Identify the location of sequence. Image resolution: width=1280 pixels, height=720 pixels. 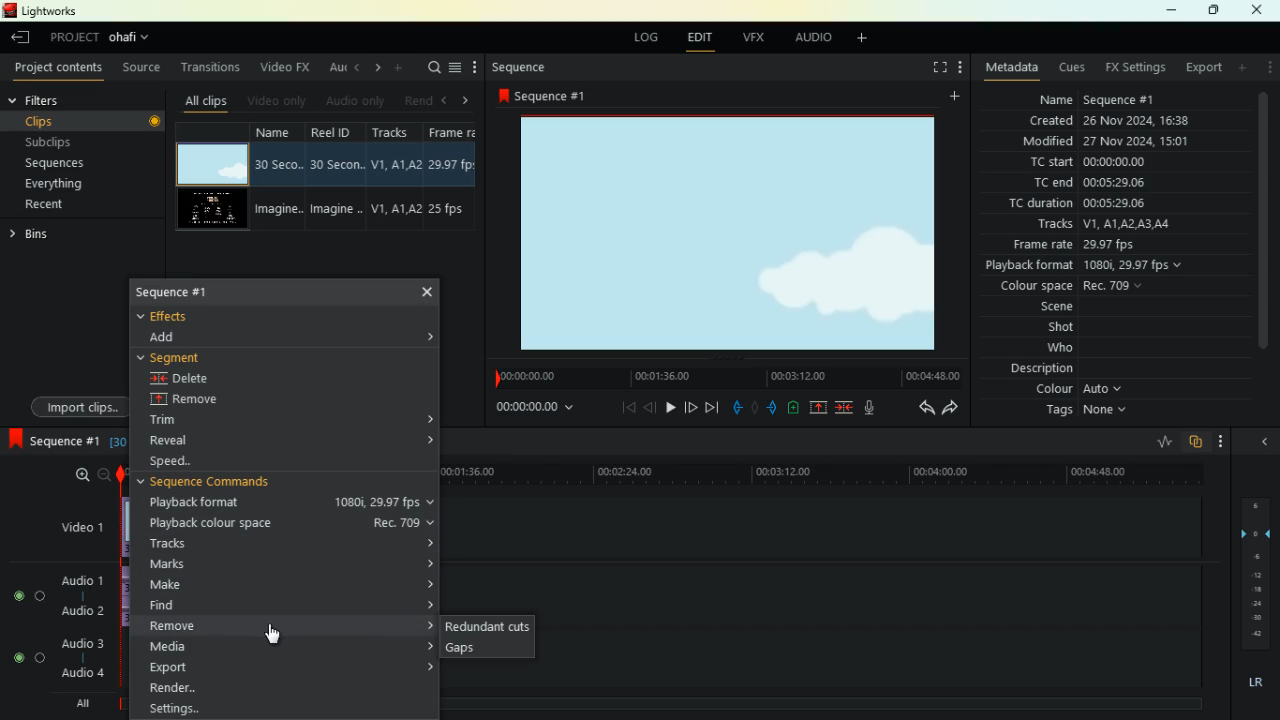
(183, 293).